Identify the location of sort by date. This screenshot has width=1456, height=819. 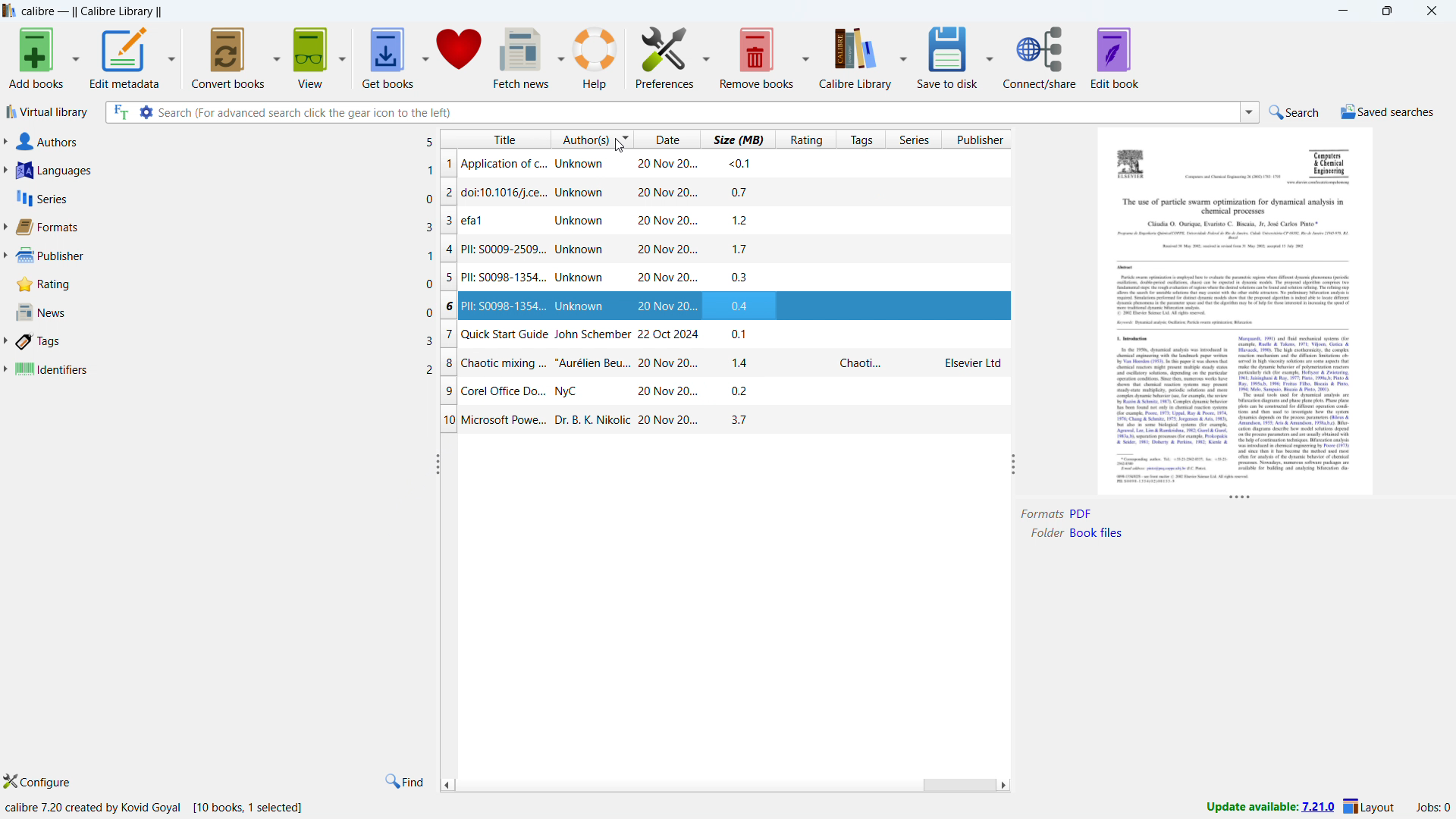
(667, 140).